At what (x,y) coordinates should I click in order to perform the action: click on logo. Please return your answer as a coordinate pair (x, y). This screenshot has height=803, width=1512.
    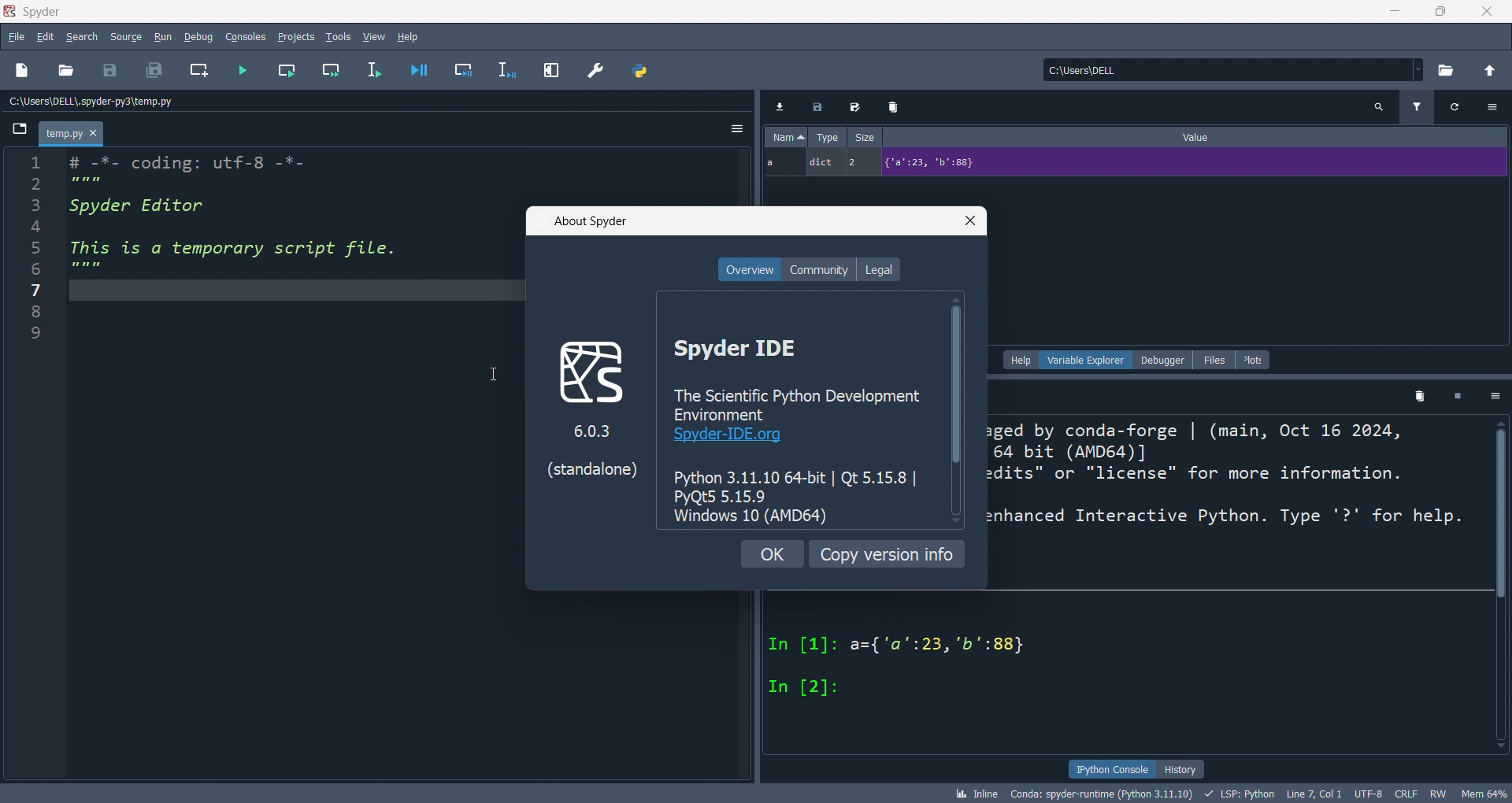
    Looking at the image, I should click on (594, 409).